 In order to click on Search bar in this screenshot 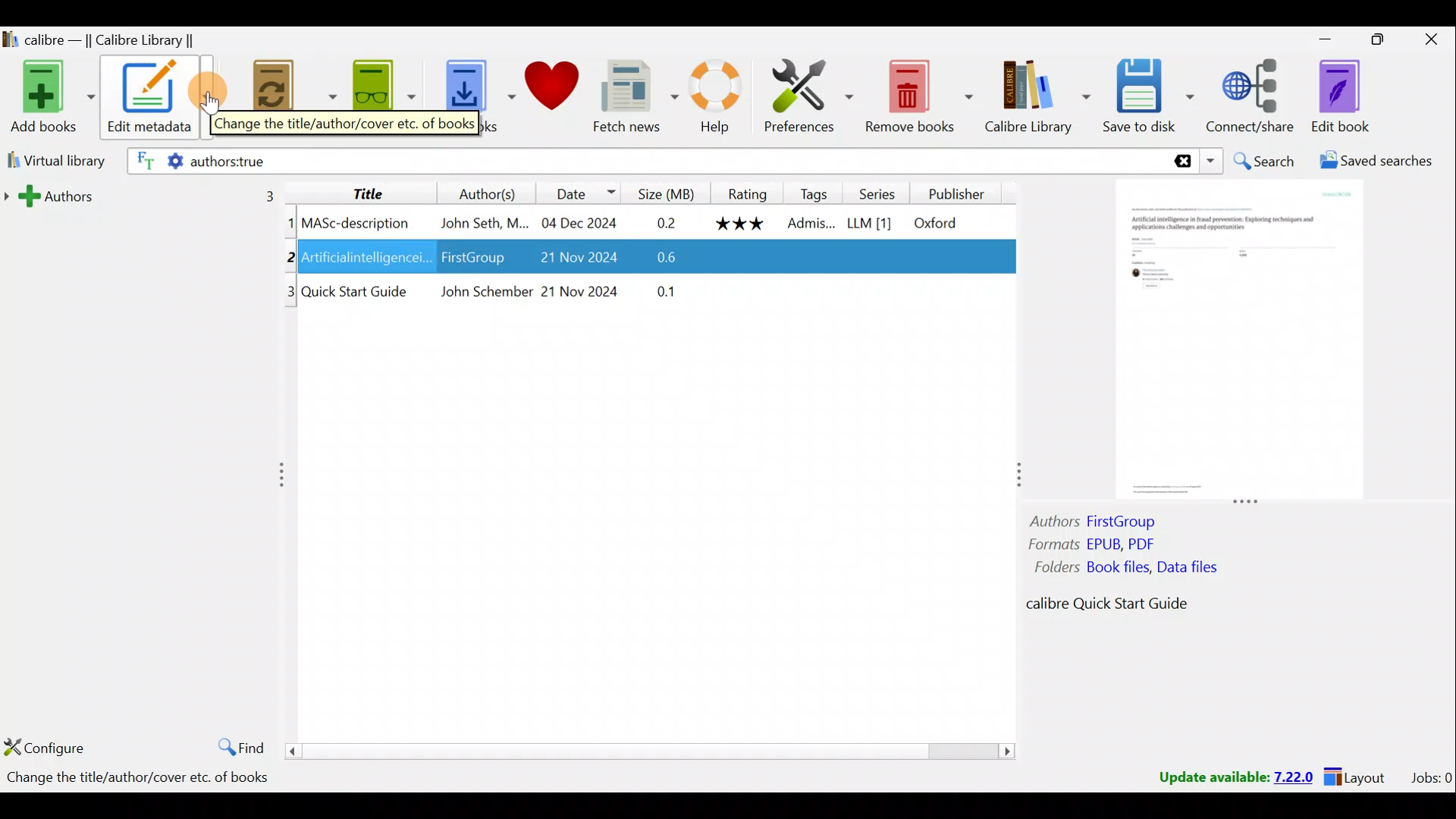, I will do `click(680, 159)`.